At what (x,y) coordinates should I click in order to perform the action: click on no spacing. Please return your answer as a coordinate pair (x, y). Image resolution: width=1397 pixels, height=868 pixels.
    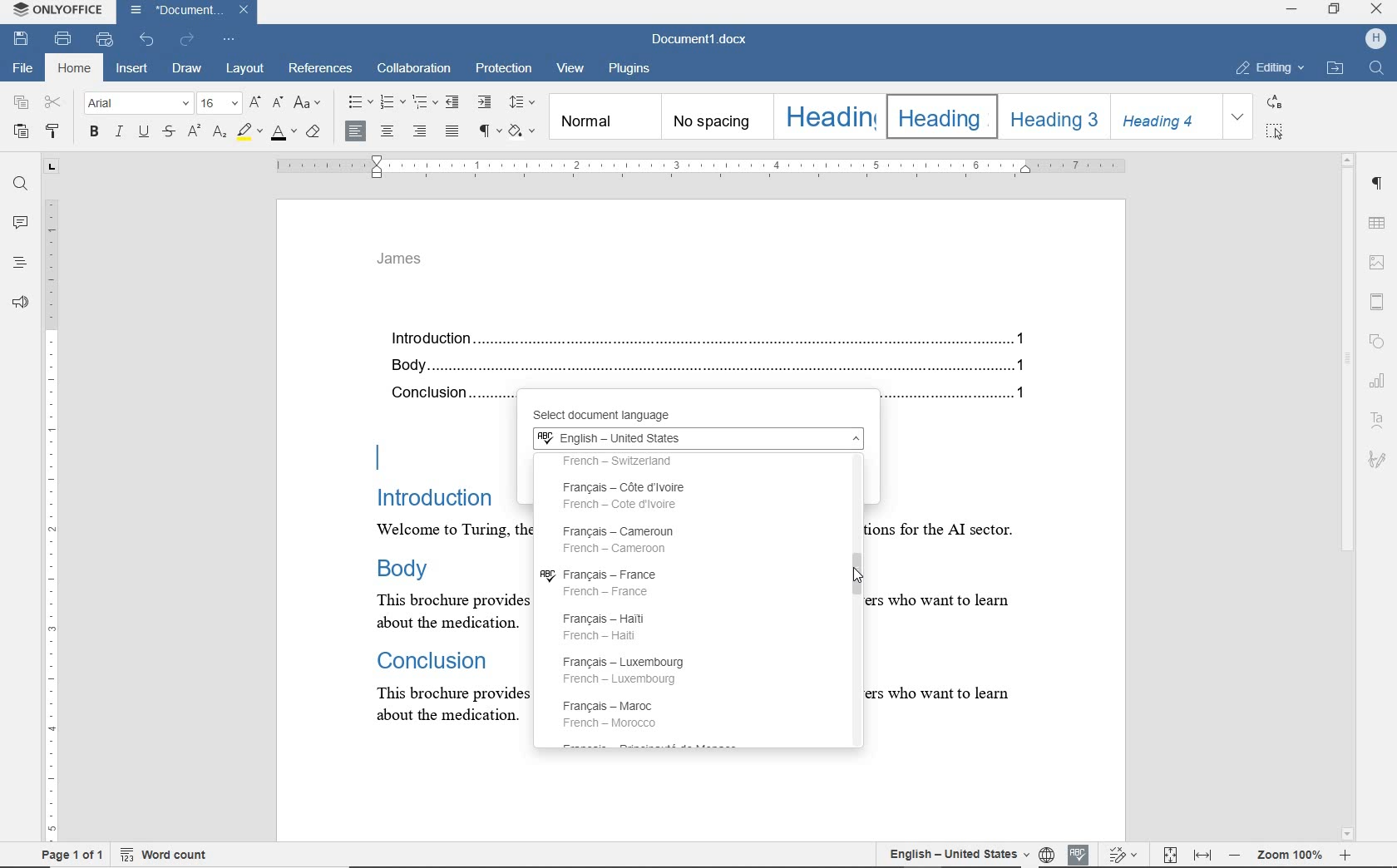
    Looking at the image, I should click on (715, 117).